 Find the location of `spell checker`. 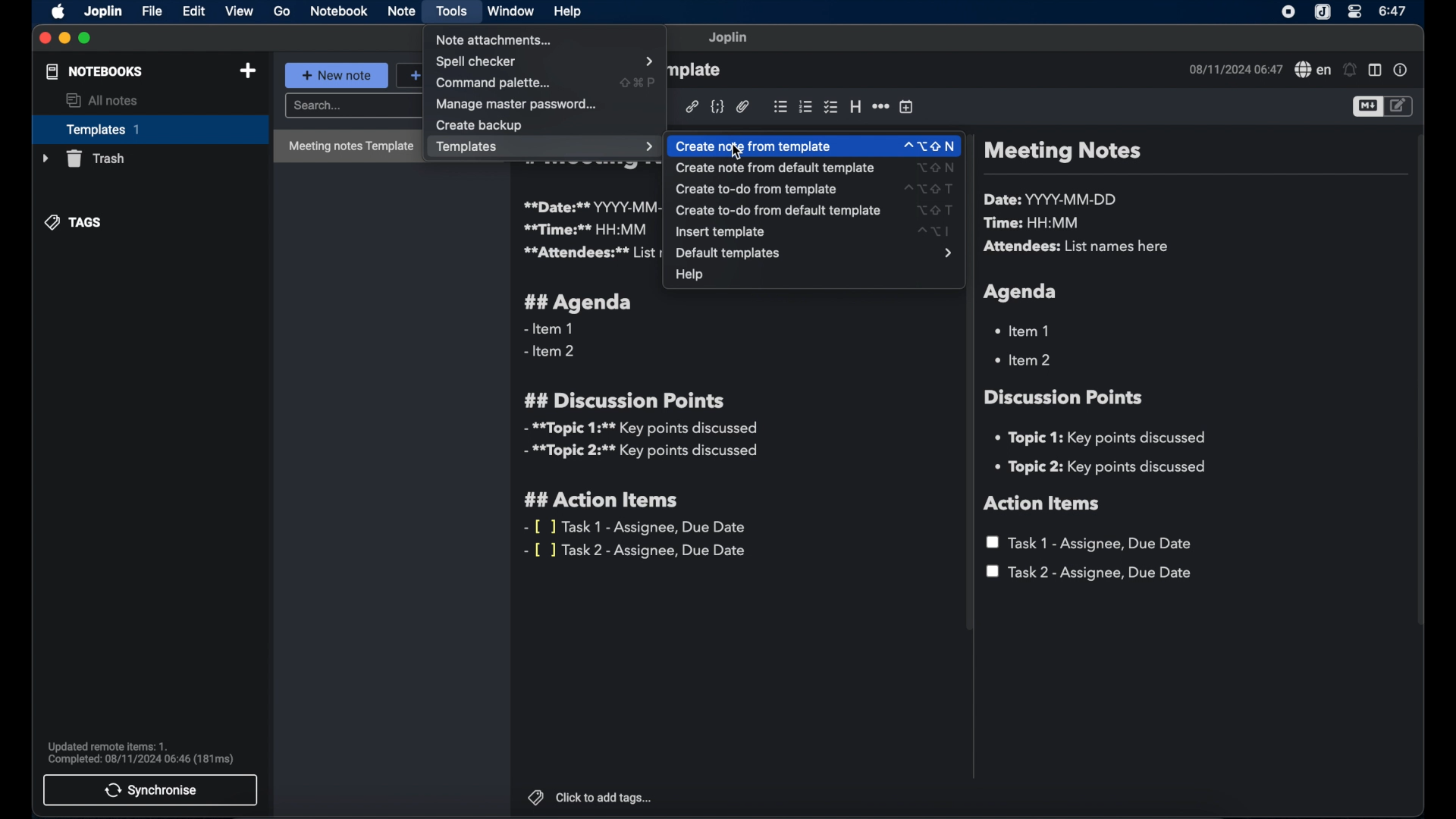

spell checker is located at coordinates (1311, 71).